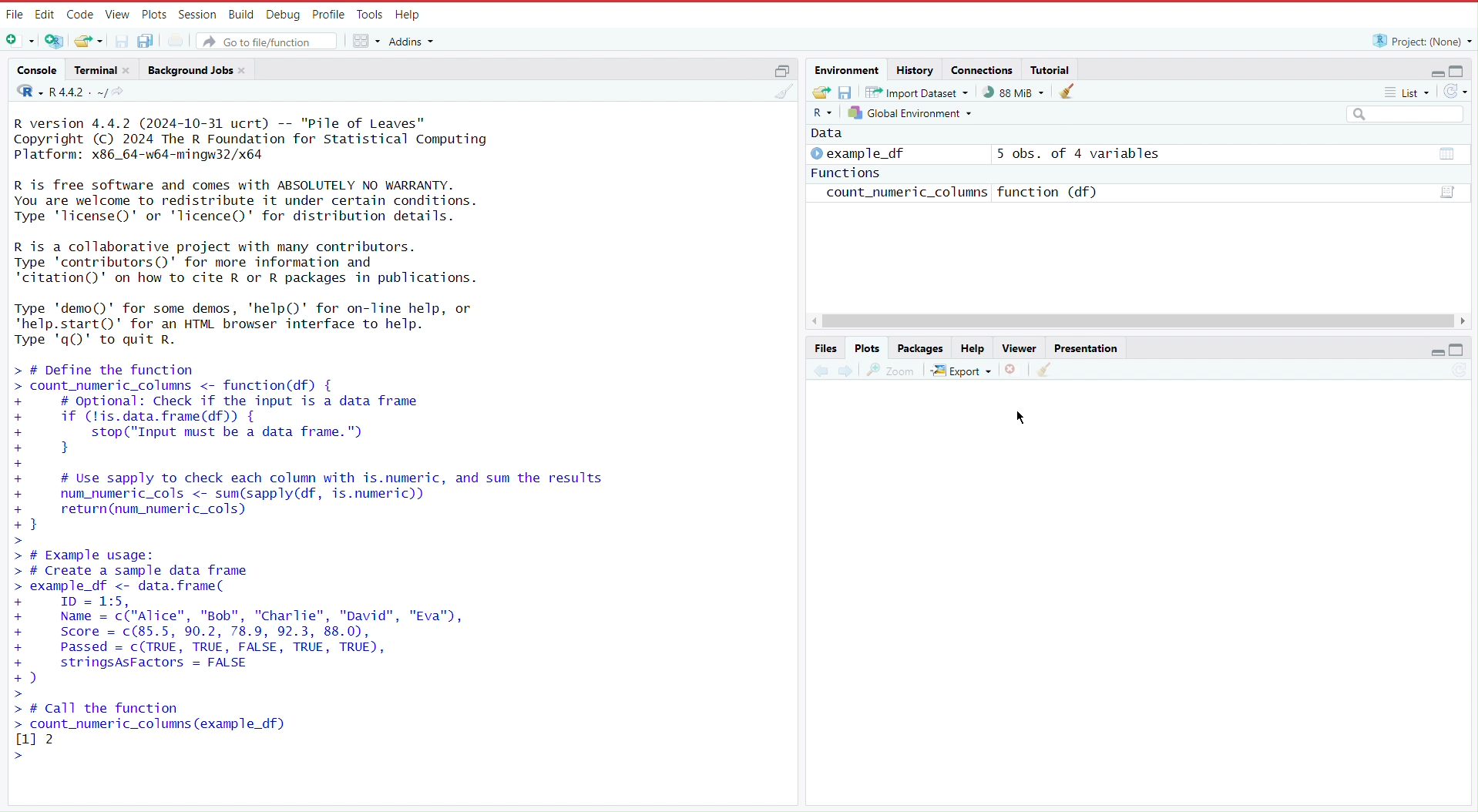  I want to click on File, so click(14, 15).